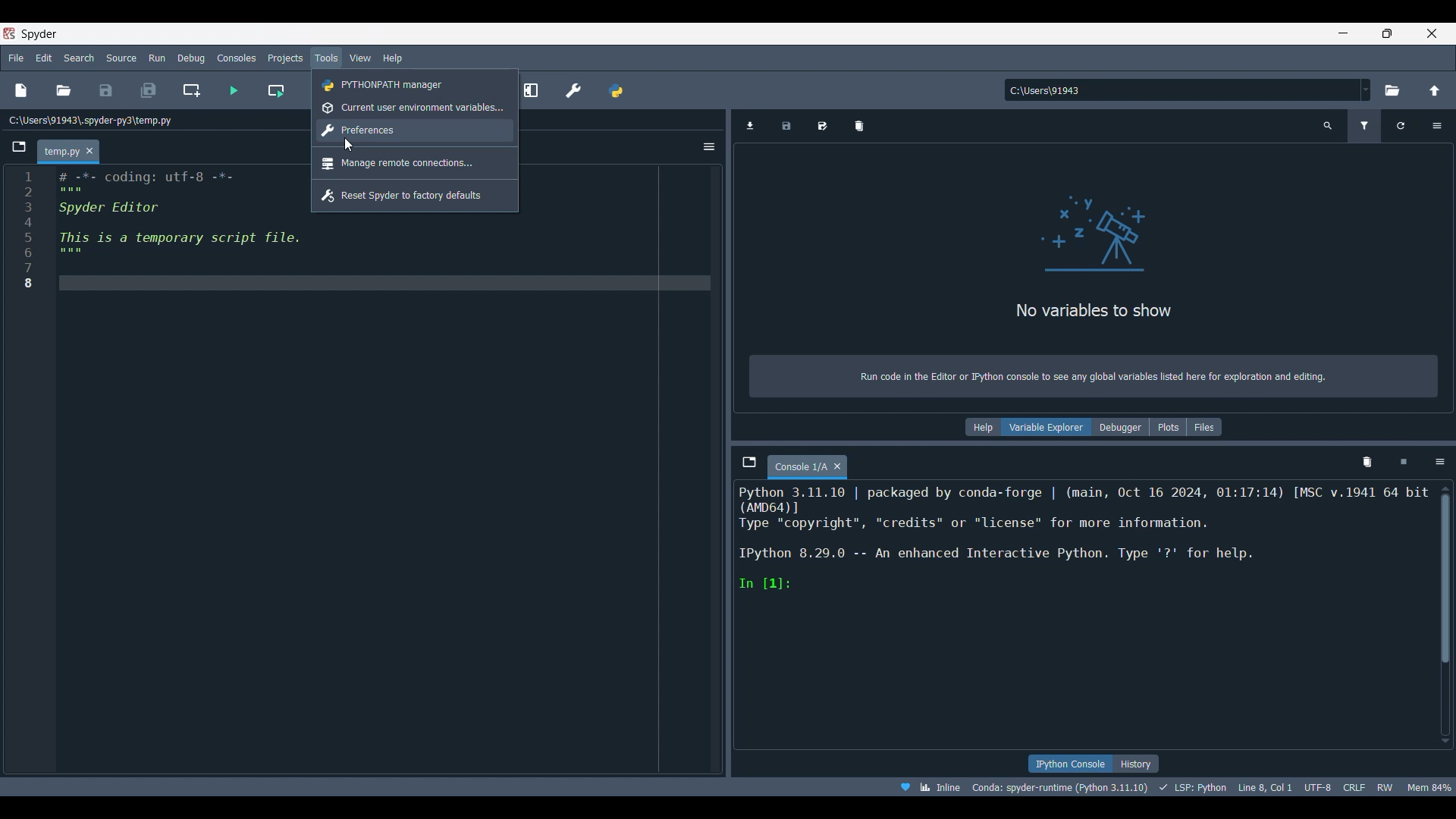 This screenshot has width=1456, height=819. Describe the element at coordinates (573, 89) in the screenshot. I see `Preferences` at that location.